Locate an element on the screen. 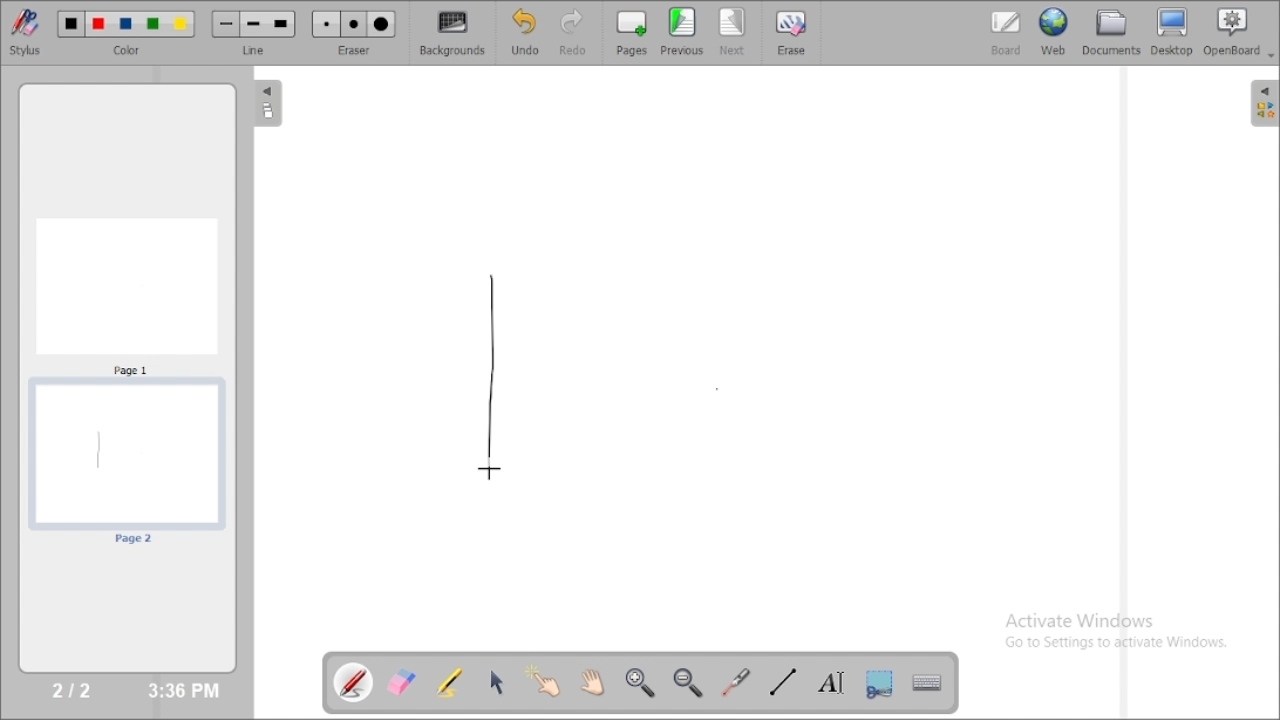 The height and width of the screenshot is (720, 1280). select and modify objects is located at coordinates (497, 682).